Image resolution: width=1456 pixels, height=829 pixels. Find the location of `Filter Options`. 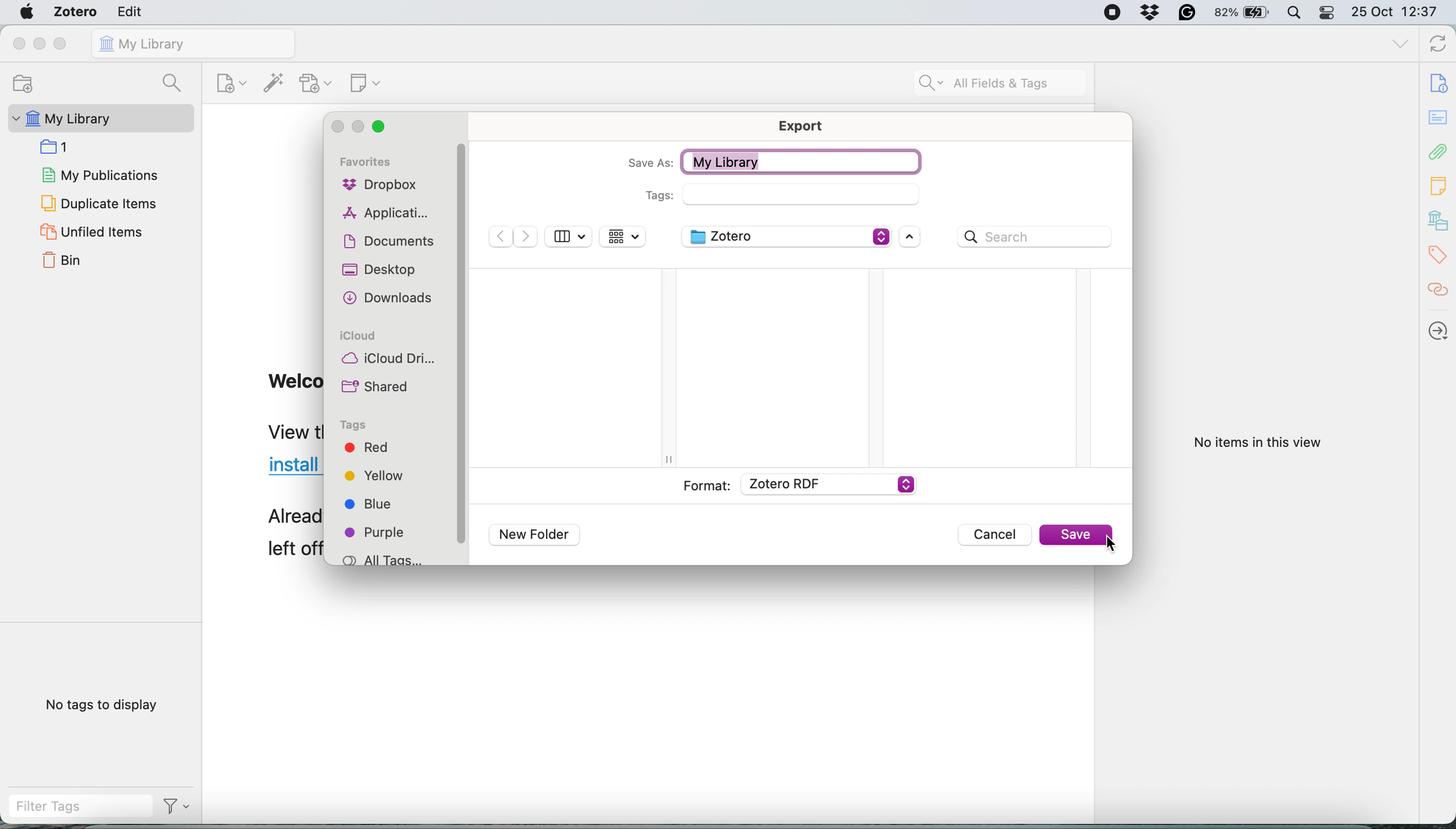

Filter Options is located at coordinates (179, 809).